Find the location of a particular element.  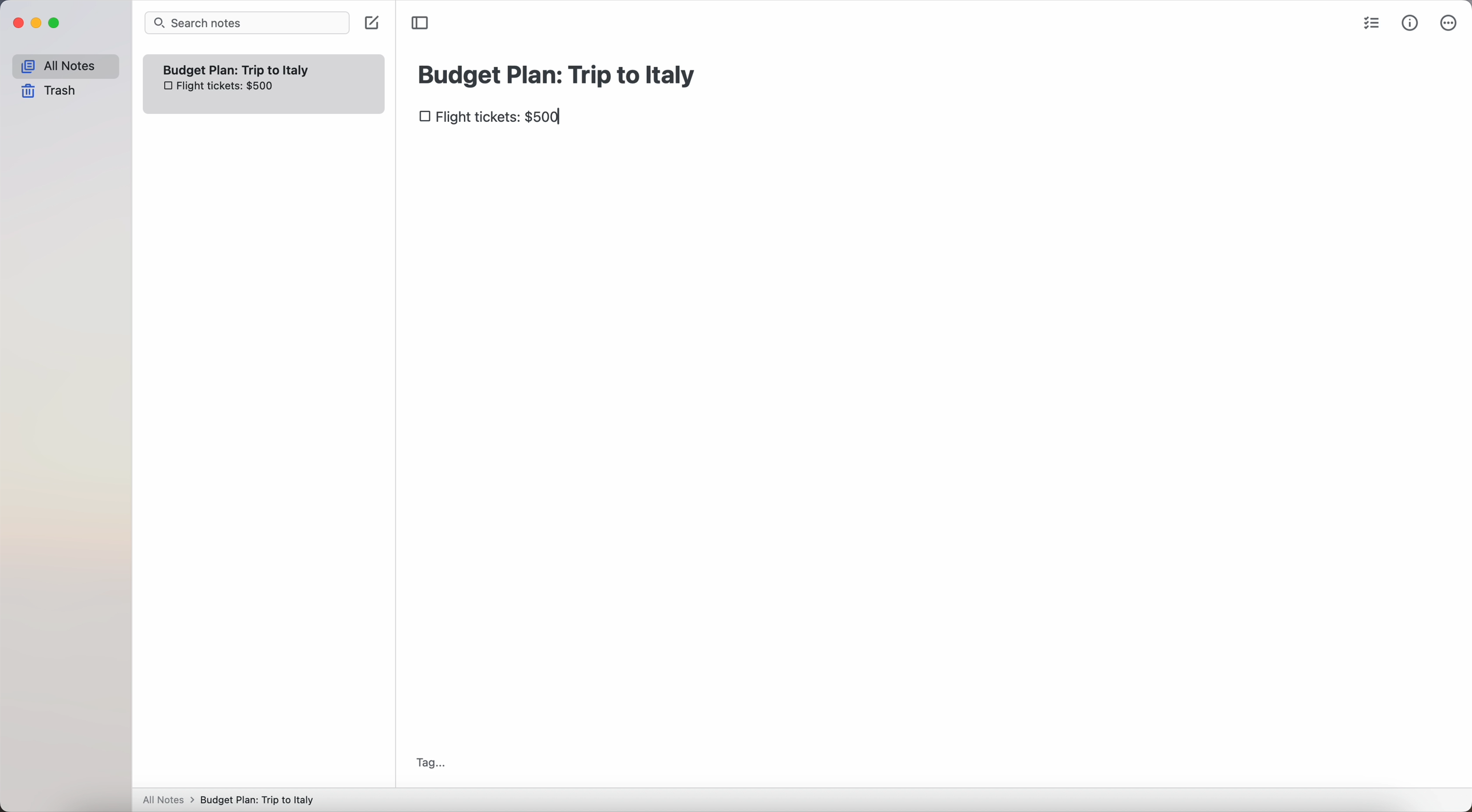

budget plan: trip to Italy is located at coordinates (559, 73).